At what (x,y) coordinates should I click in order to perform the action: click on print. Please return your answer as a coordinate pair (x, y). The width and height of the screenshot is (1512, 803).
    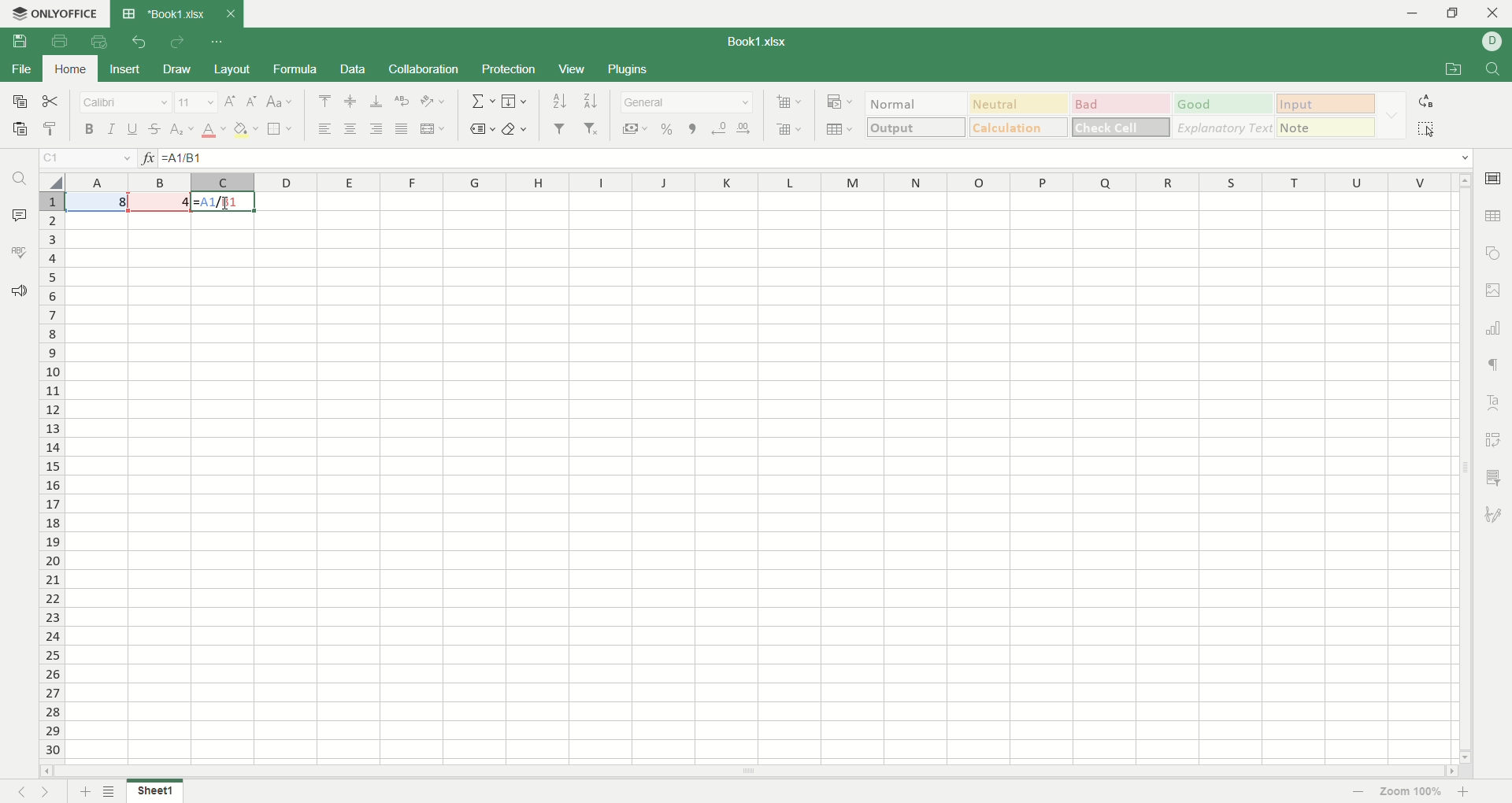
    Looking at the image, I should click on (60, 42).